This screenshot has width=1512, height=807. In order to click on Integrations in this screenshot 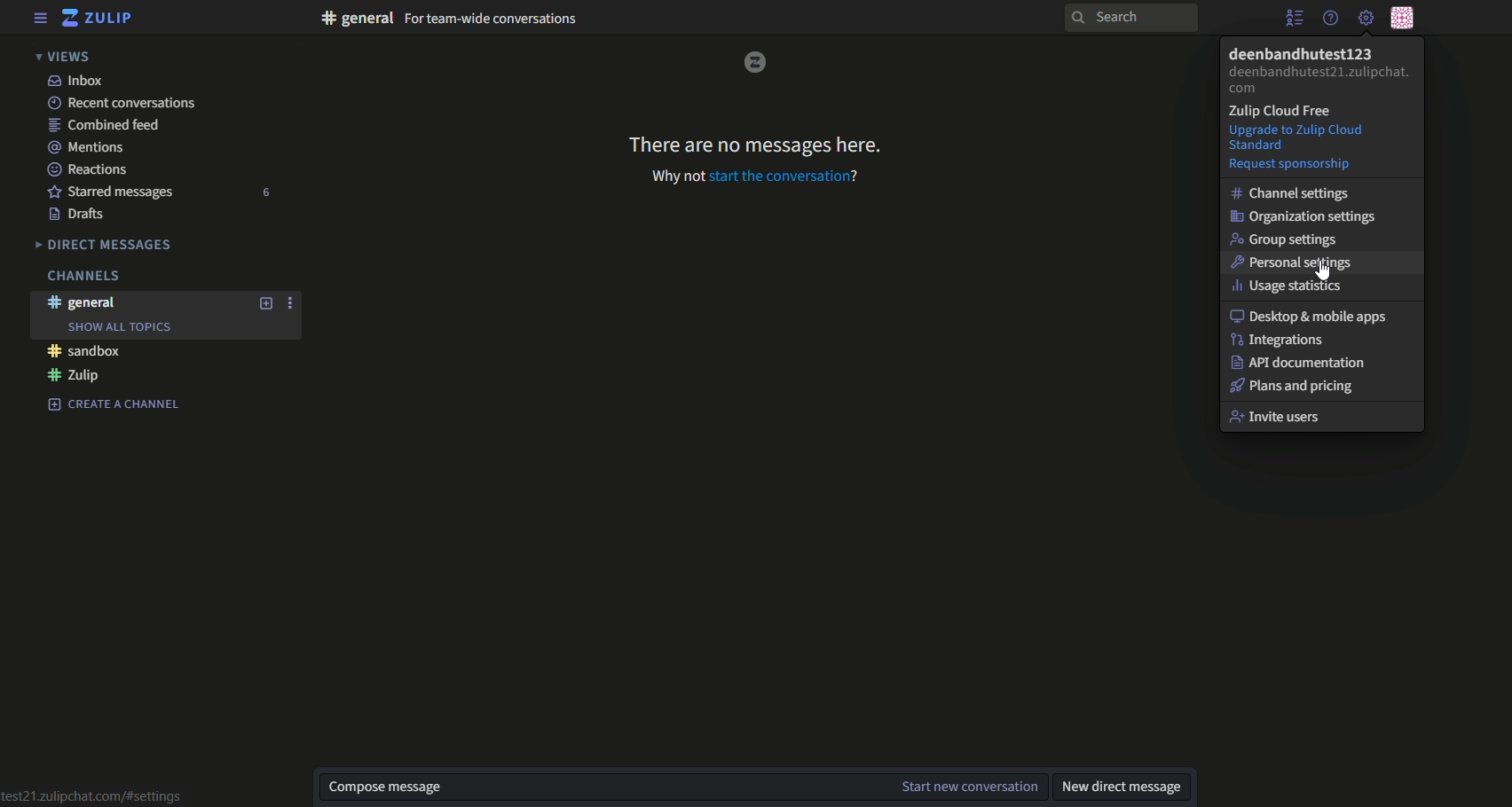, I will do `click(1286, 341)`.